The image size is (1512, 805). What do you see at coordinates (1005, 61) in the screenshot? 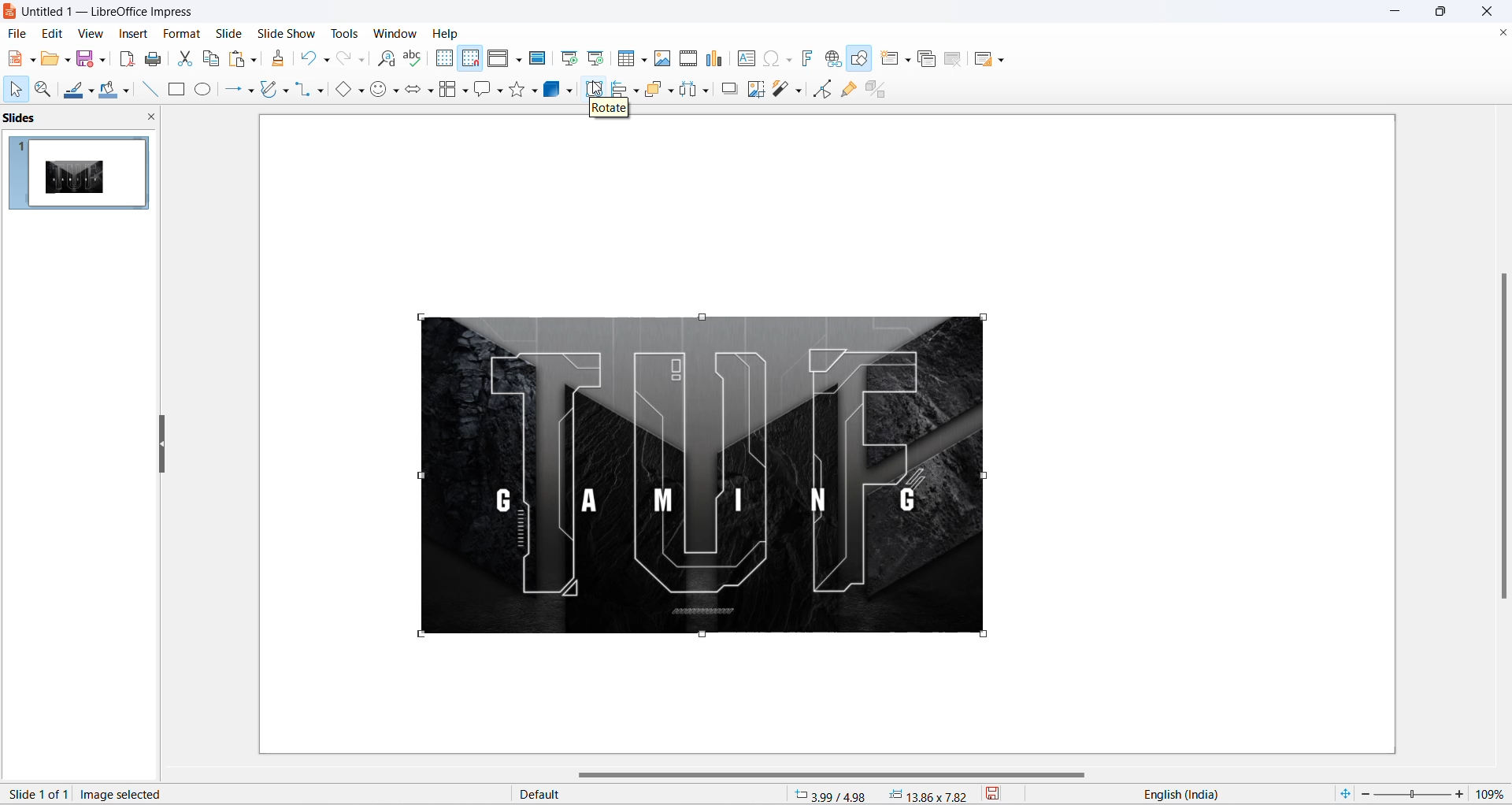
I see `Slide layout options` at bounding box center [1005, 61].